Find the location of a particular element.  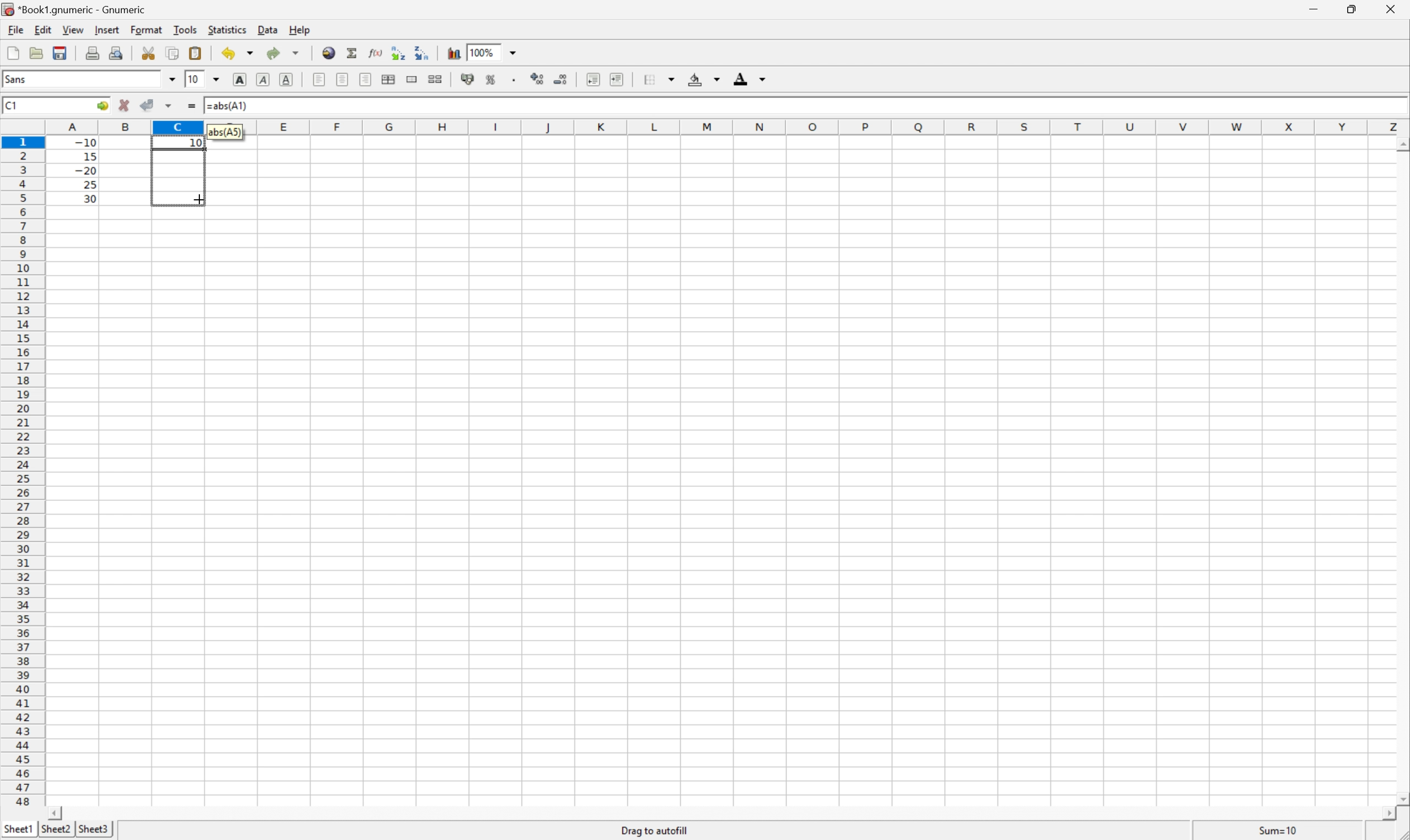

Drop Down is located at coordinates (674, 77).